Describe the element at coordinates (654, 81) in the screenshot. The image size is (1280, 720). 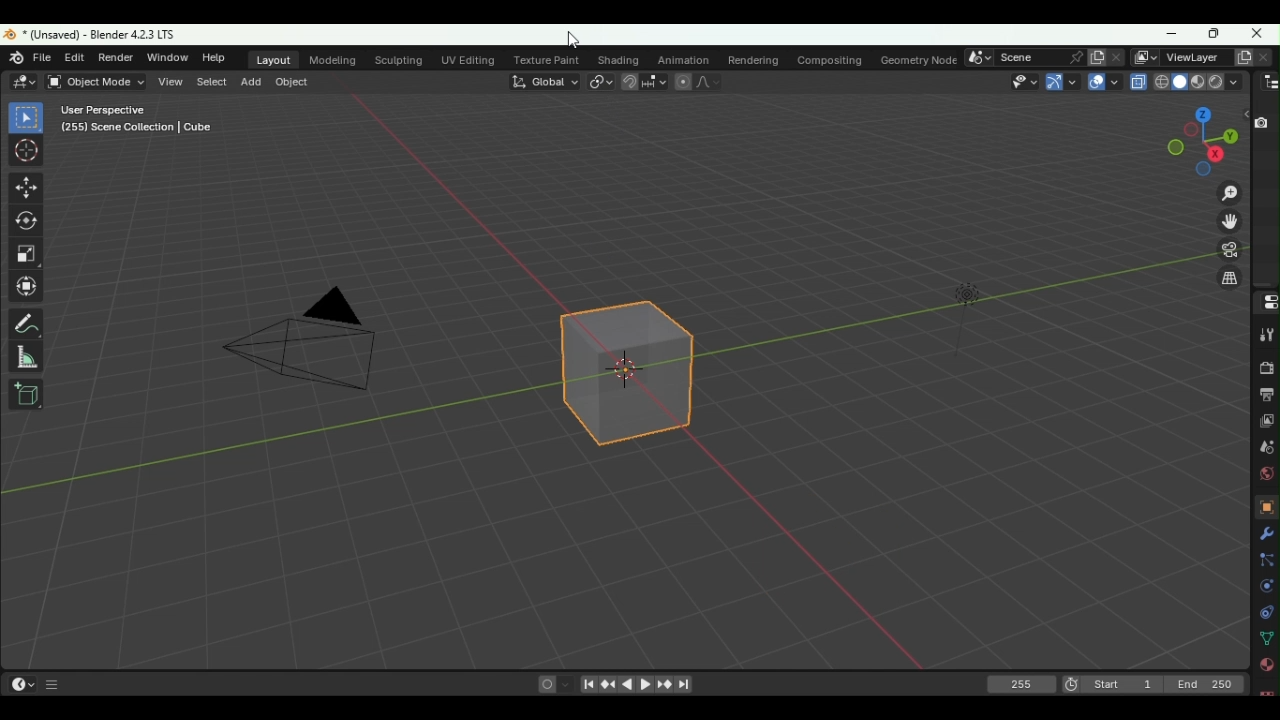
I see `Snapping` at that location.